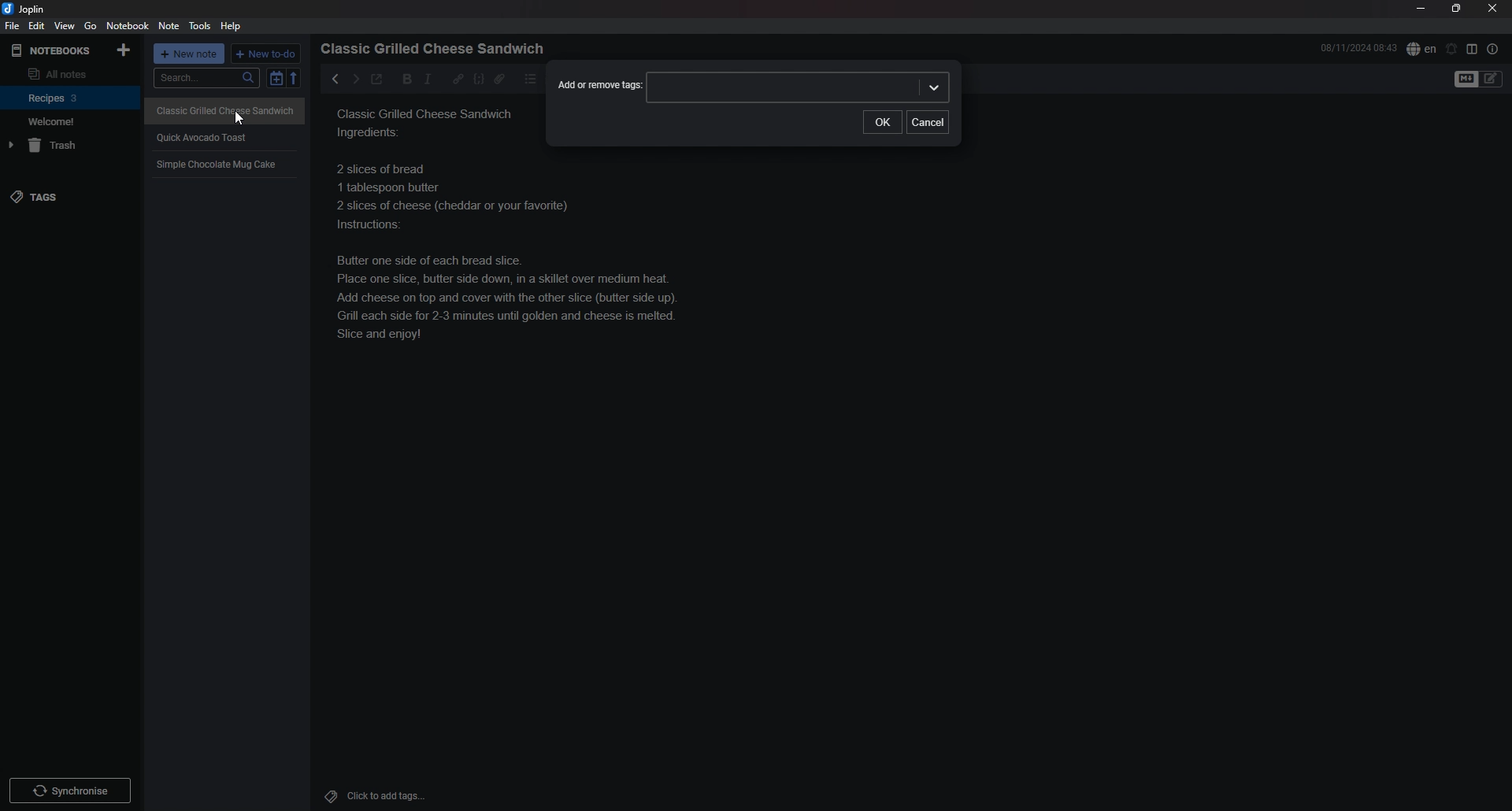 The image size is (1512, 811). What do you see at coordinates (1473, 49) in the screenshot?
I see `toggle editor layout` at bounding box center [1473, 49].